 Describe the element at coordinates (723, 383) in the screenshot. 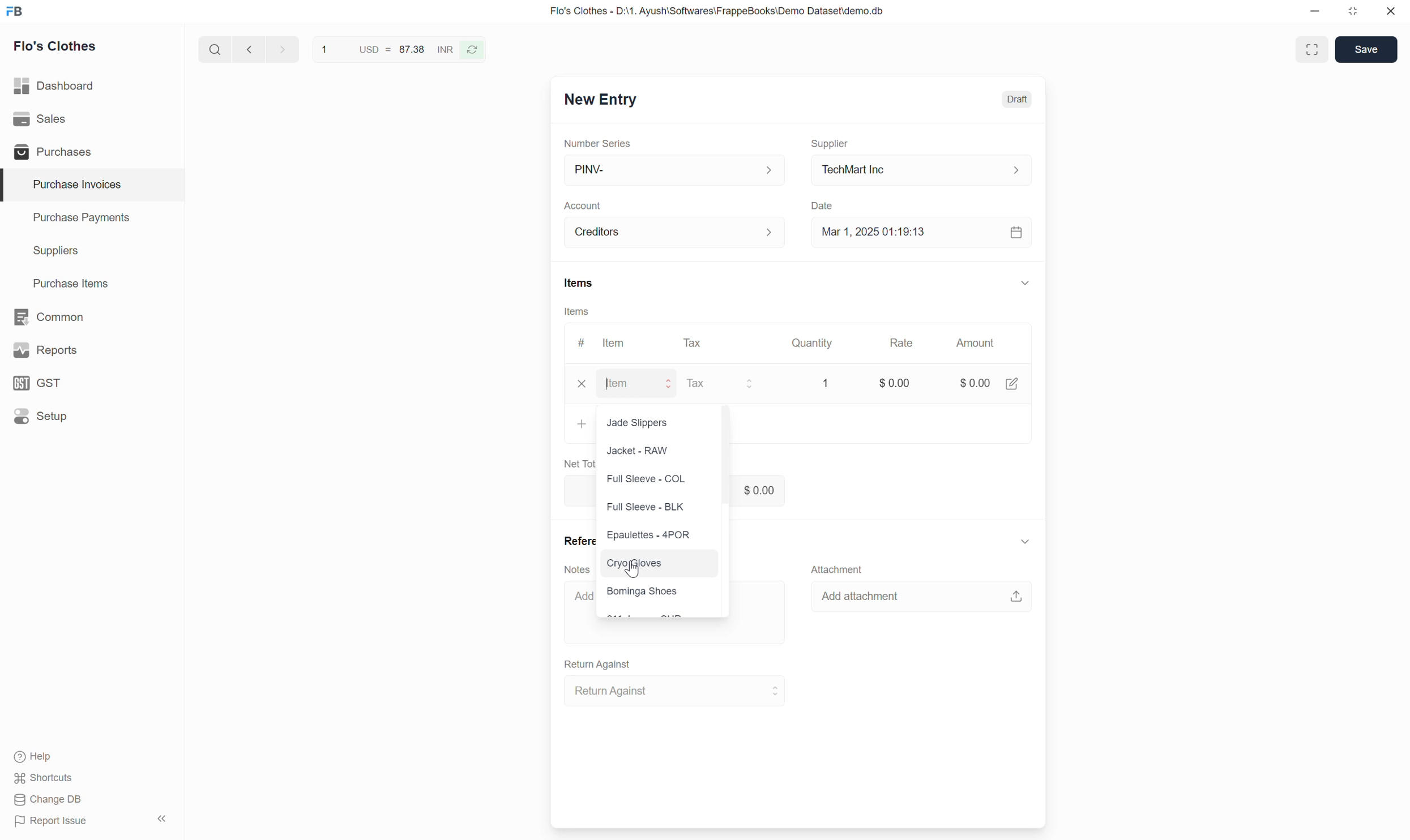

I see `Tax` at that location.